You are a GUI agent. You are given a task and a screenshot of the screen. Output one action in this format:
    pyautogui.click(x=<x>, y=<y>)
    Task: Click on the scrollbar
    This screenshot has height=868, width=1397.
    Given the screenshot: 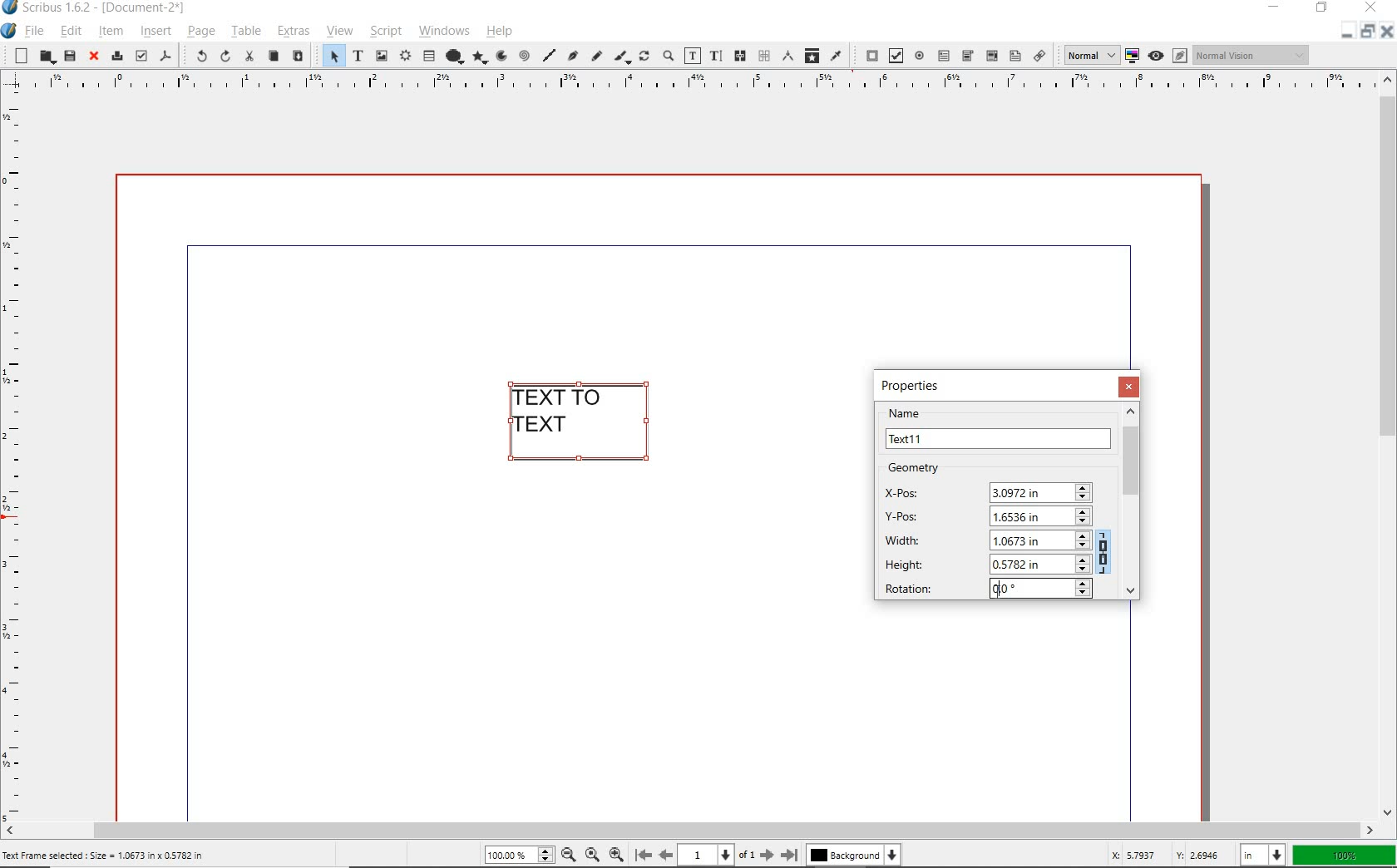 What is the action you would take?
    pyautogui.click(x=1389, y=445)
    